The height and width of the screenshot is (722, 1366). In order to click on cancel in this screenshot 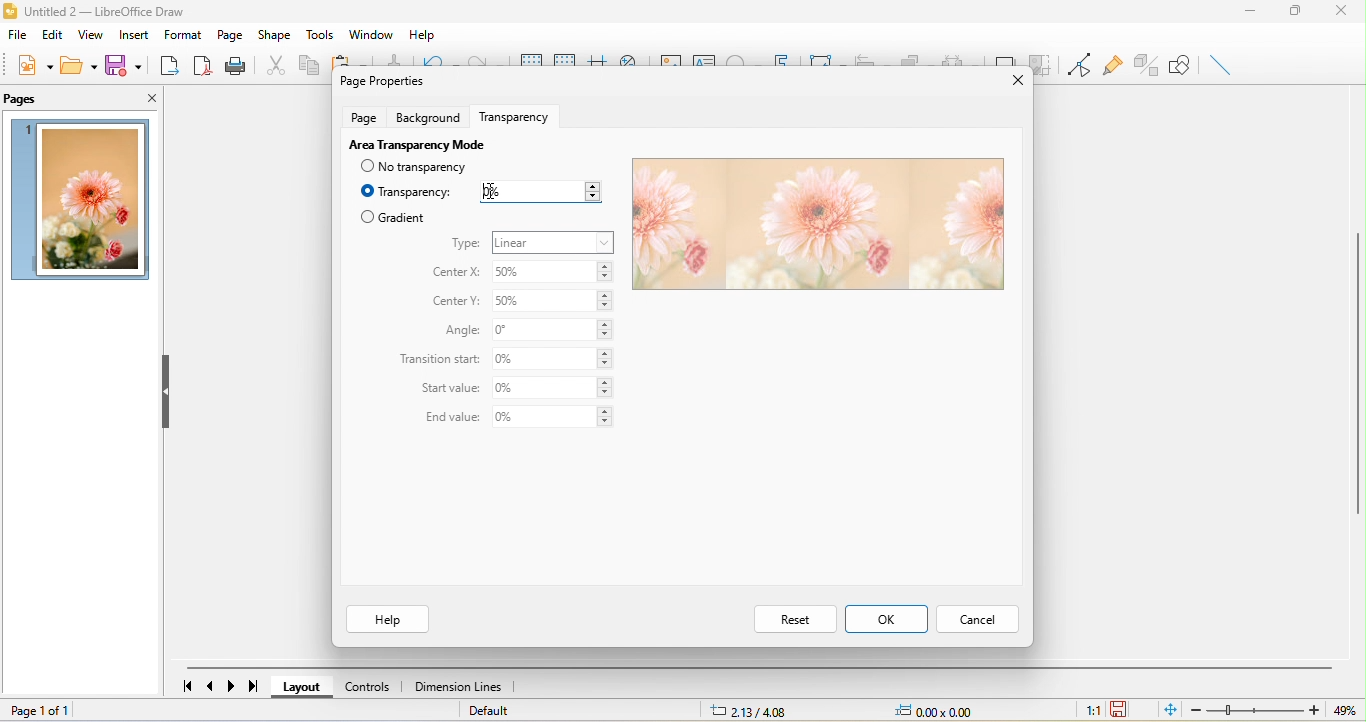, I will do `click(976, 621)`.